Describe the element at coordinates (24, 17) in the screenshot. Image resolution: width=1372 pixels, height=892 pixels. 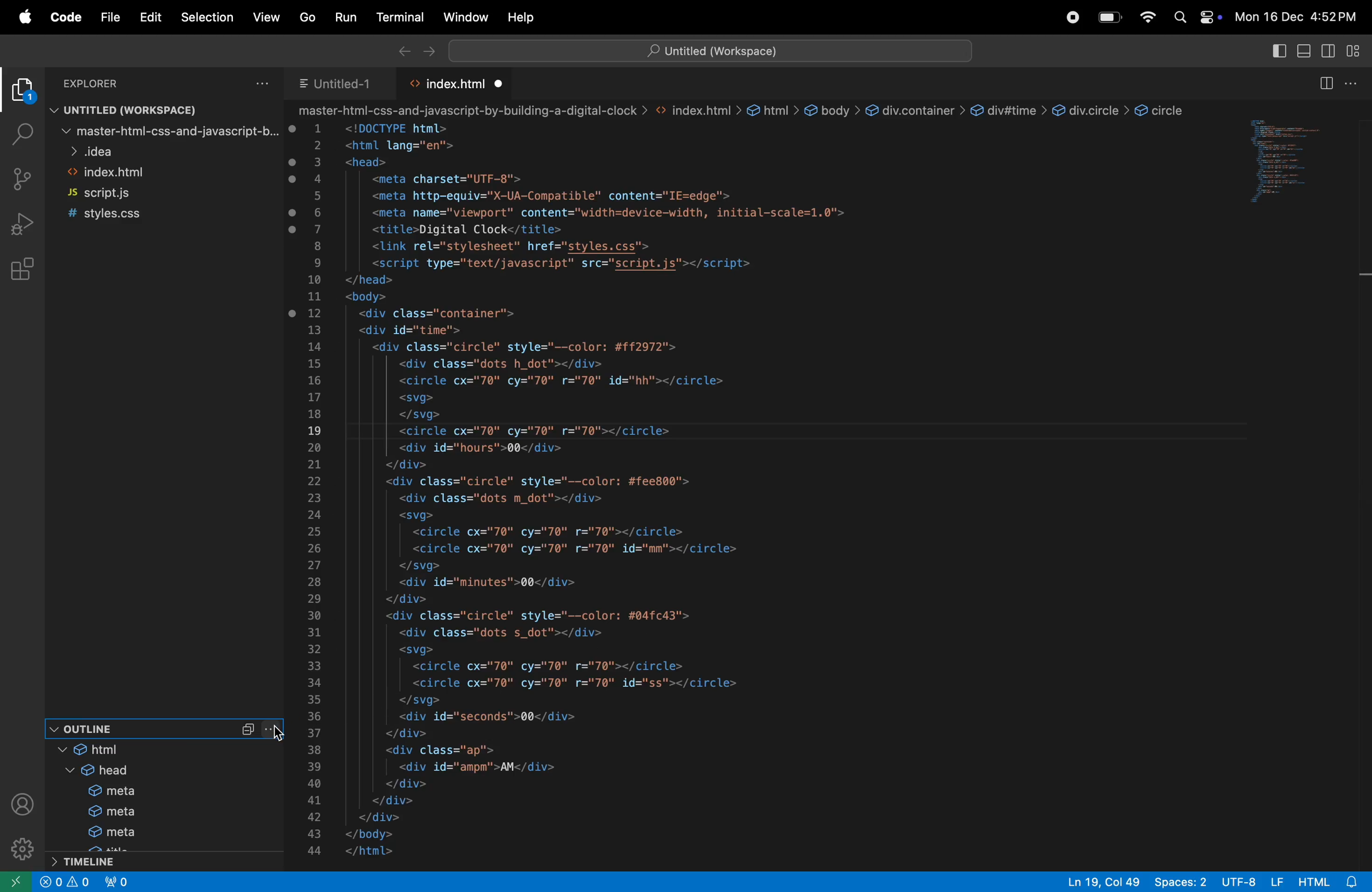
I see `apple menu` at that location.